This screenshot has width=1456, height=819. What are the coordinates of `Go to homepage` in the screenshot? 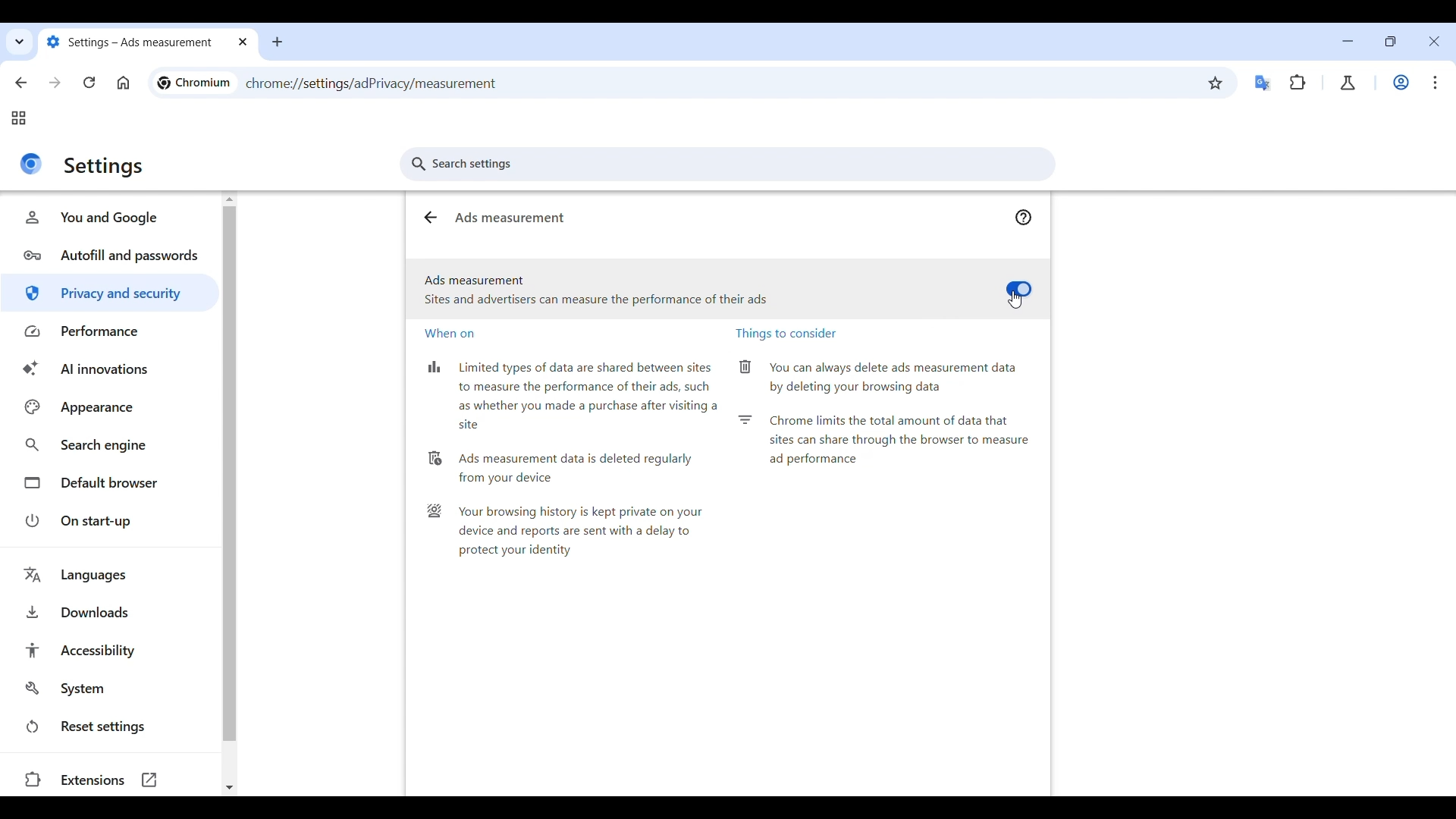 It's located at (124, 83).